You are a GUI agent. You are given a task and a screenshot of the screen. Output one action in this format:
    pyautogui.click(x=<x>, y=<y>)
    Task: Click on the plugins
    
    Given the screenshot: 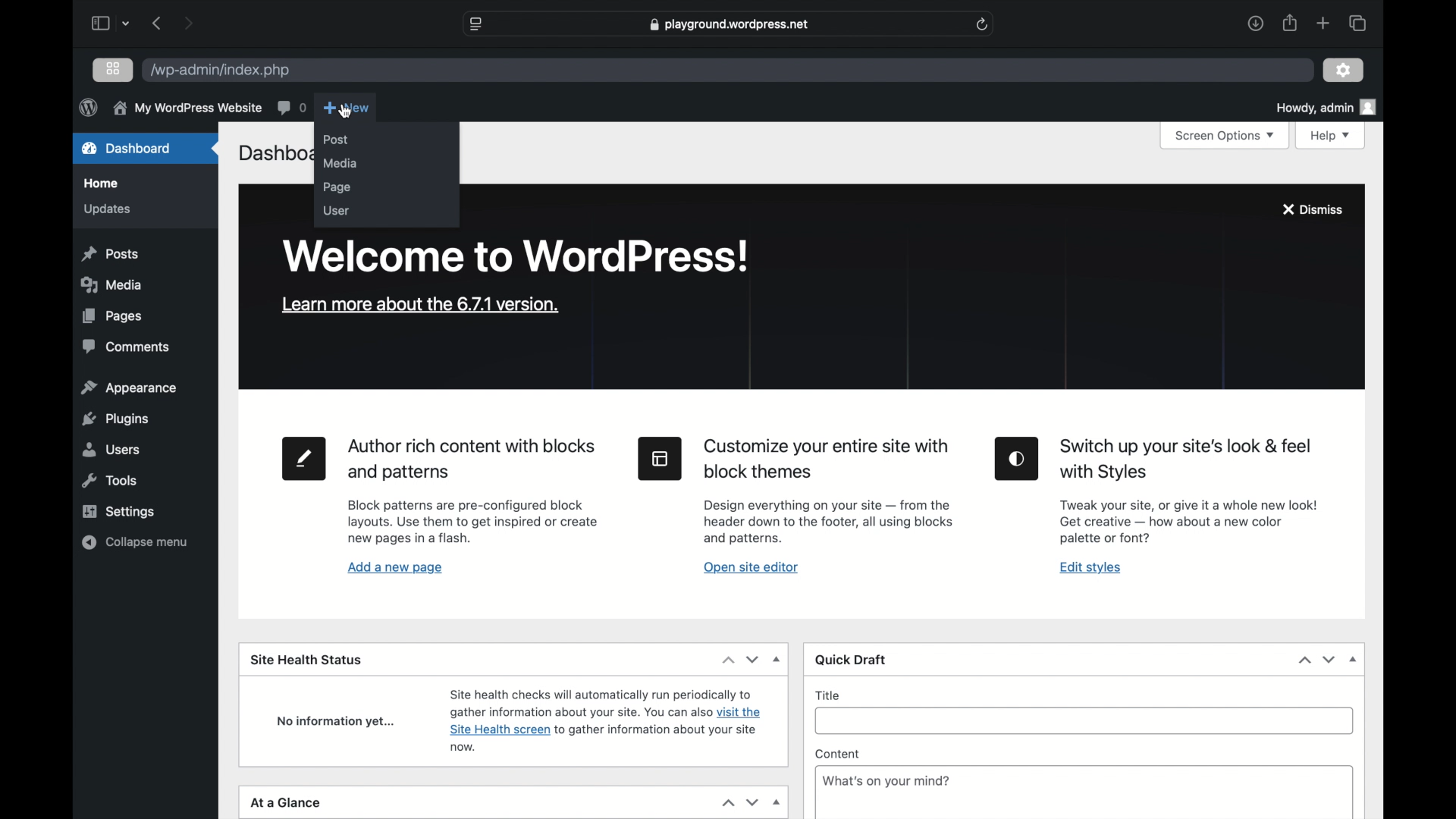 What is the action you would take?
    pyautogui.click(x=117, y=419)
    